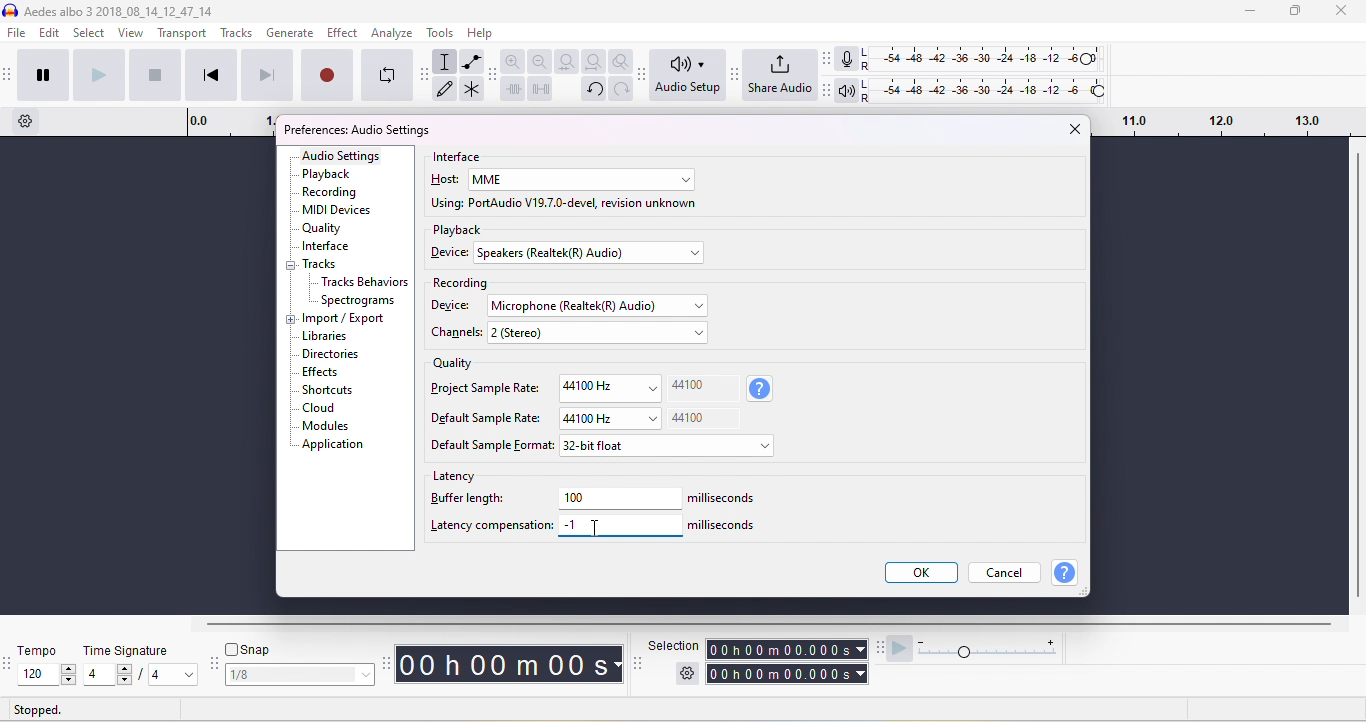 The width and height of the screenshot is (1366, 722). I want to click on latency compensation, so click(491, 525).